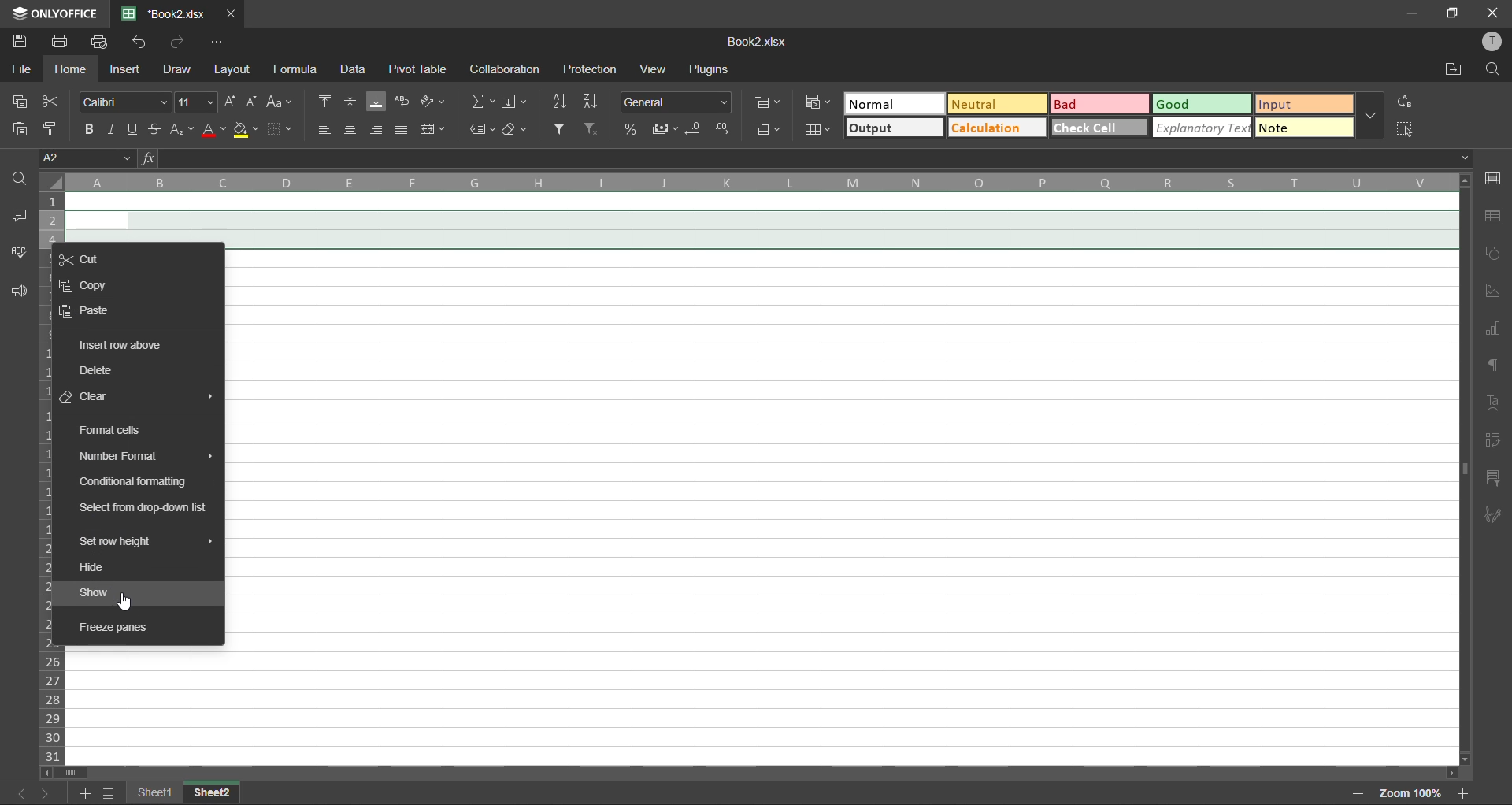  What do you see at coordinates (591, 130) in the screenshot?
I see `clear filter` at bounding box center [591, 130].